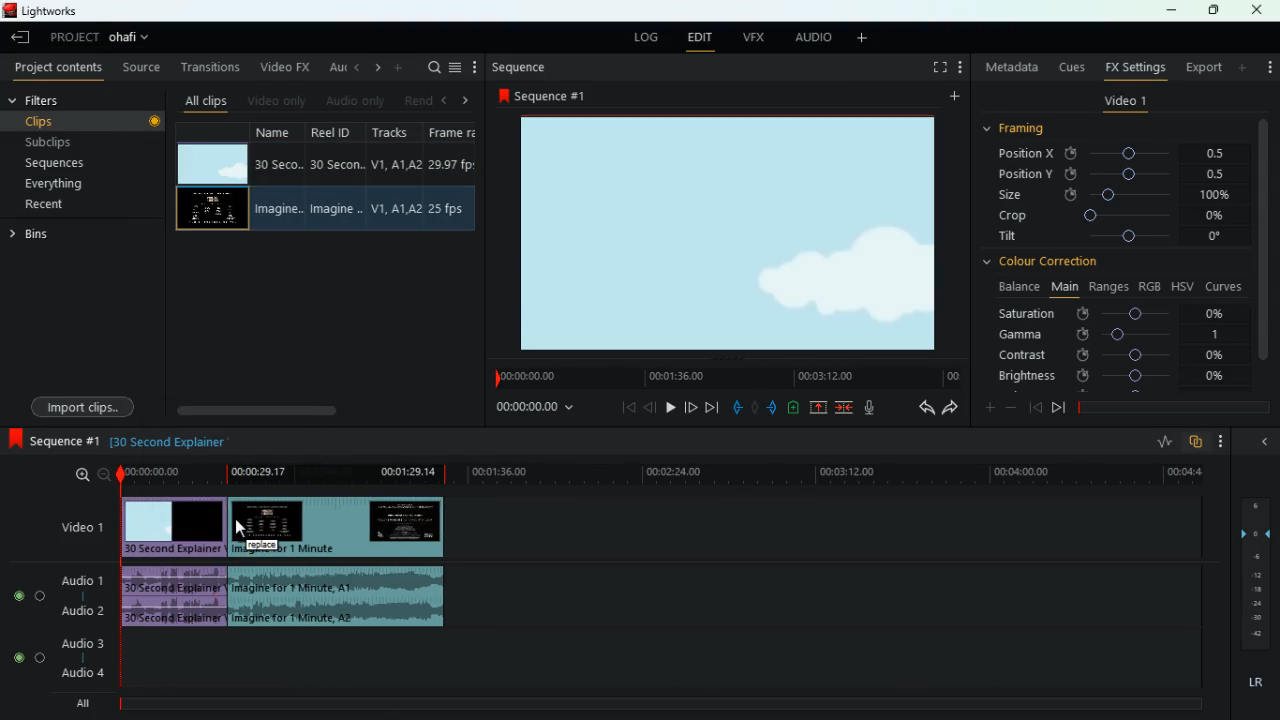 The width and height of the screenshot is (1280, 720). Describe the element at coordinates (90, 475) in the screenshot. I see `zoom` at that location.